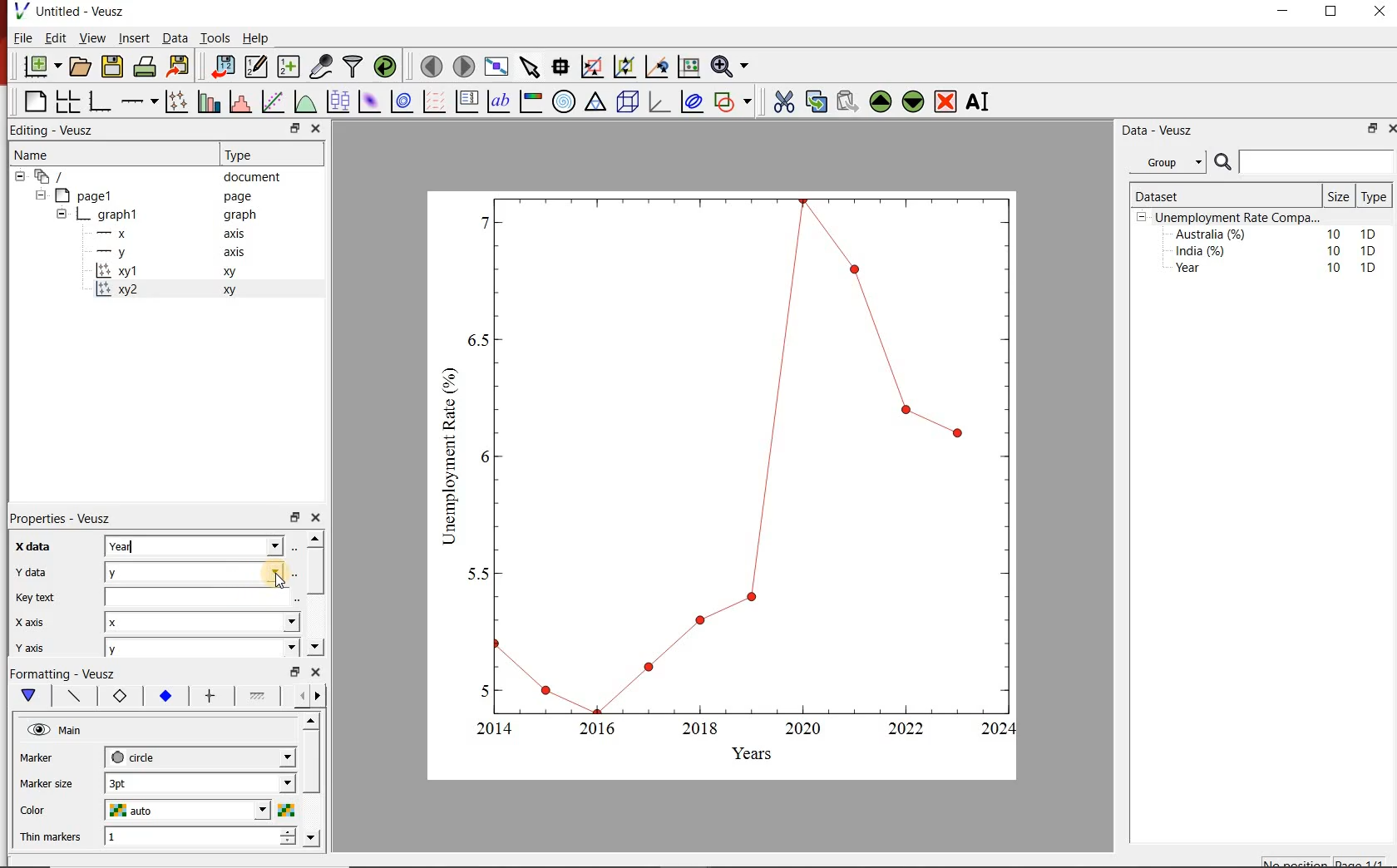  What do you see at coordinates (290, 831) in the screenshot?
I see `increase` at bounding box center [290, 831].